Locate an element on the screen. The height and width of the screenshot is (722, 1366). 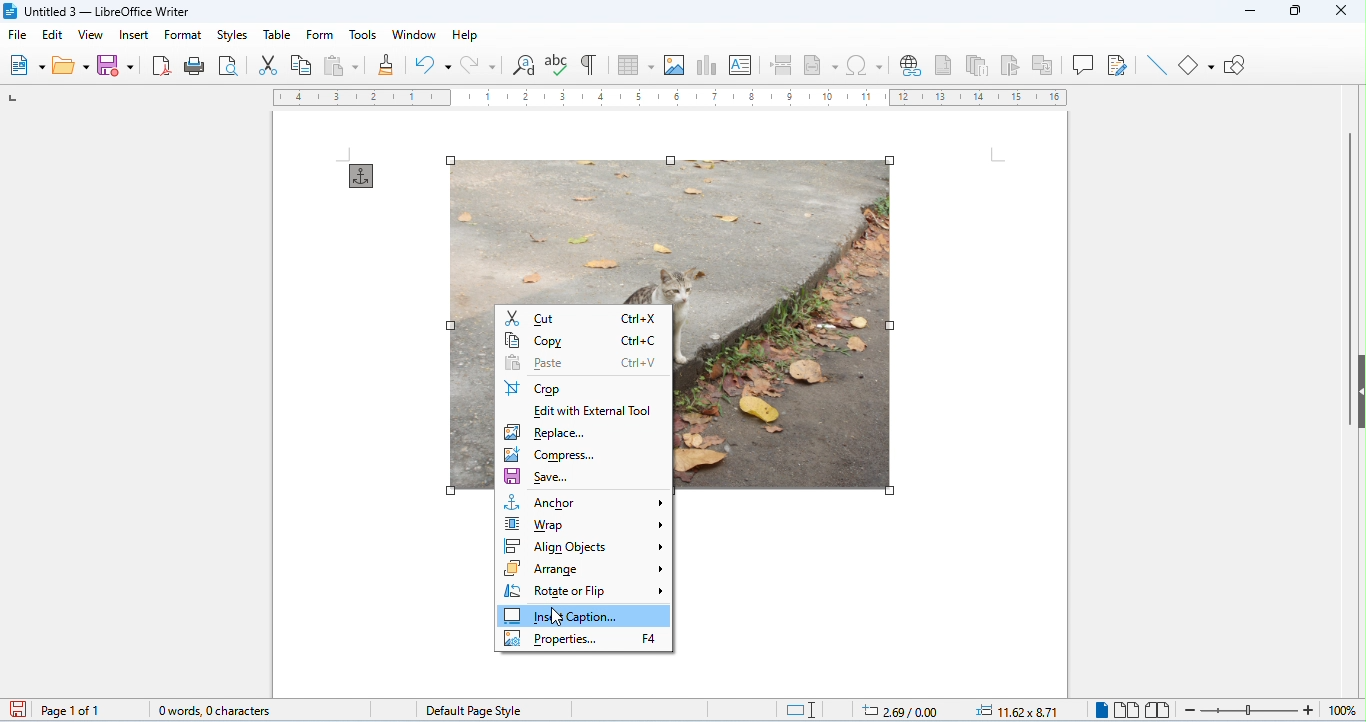
page 1 of 1 is located at coordinates (72, 710).